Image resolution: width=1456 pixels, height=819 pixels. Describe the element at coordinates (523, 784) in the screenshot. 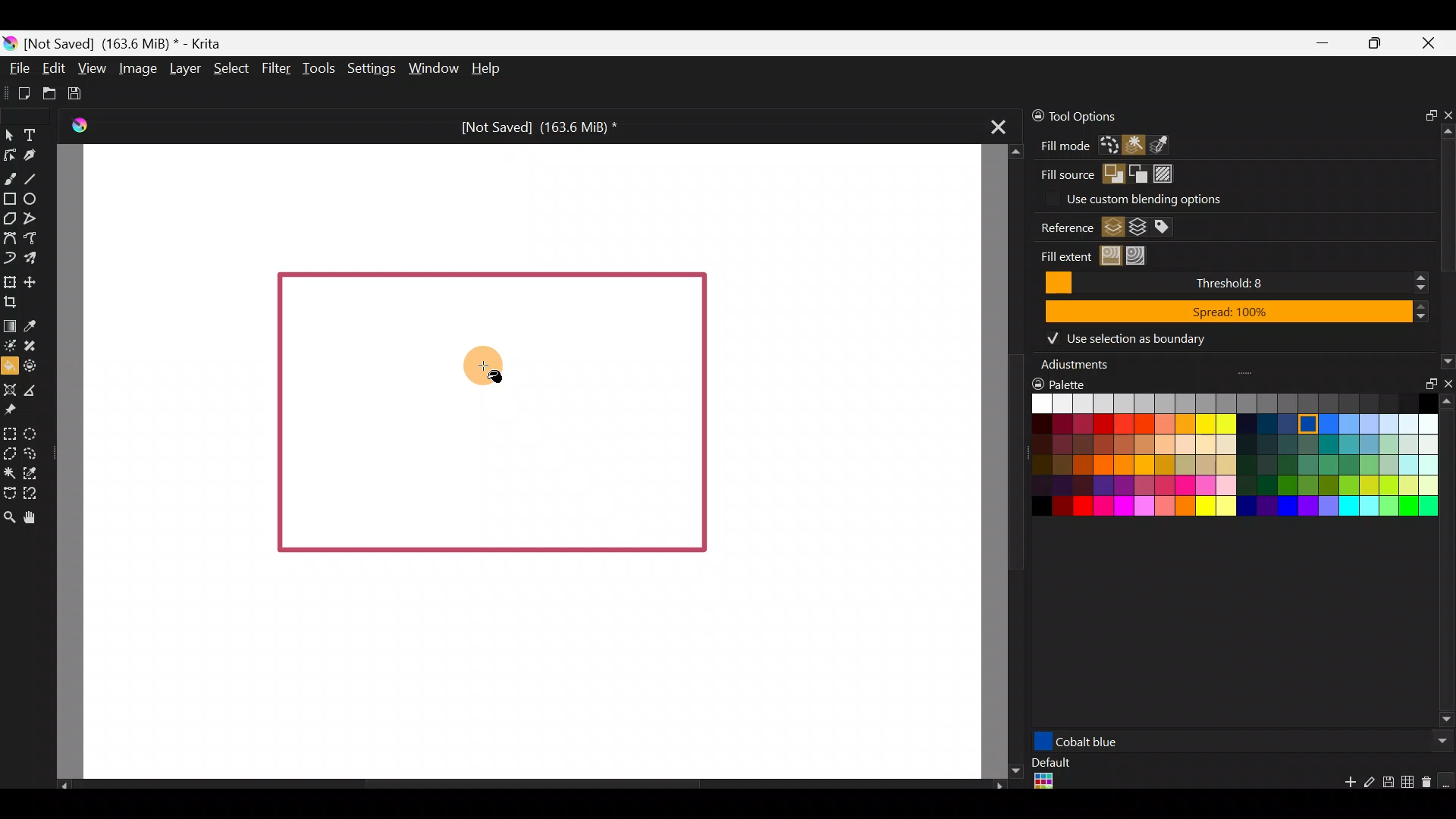

I see `Scroll bar` at that location.